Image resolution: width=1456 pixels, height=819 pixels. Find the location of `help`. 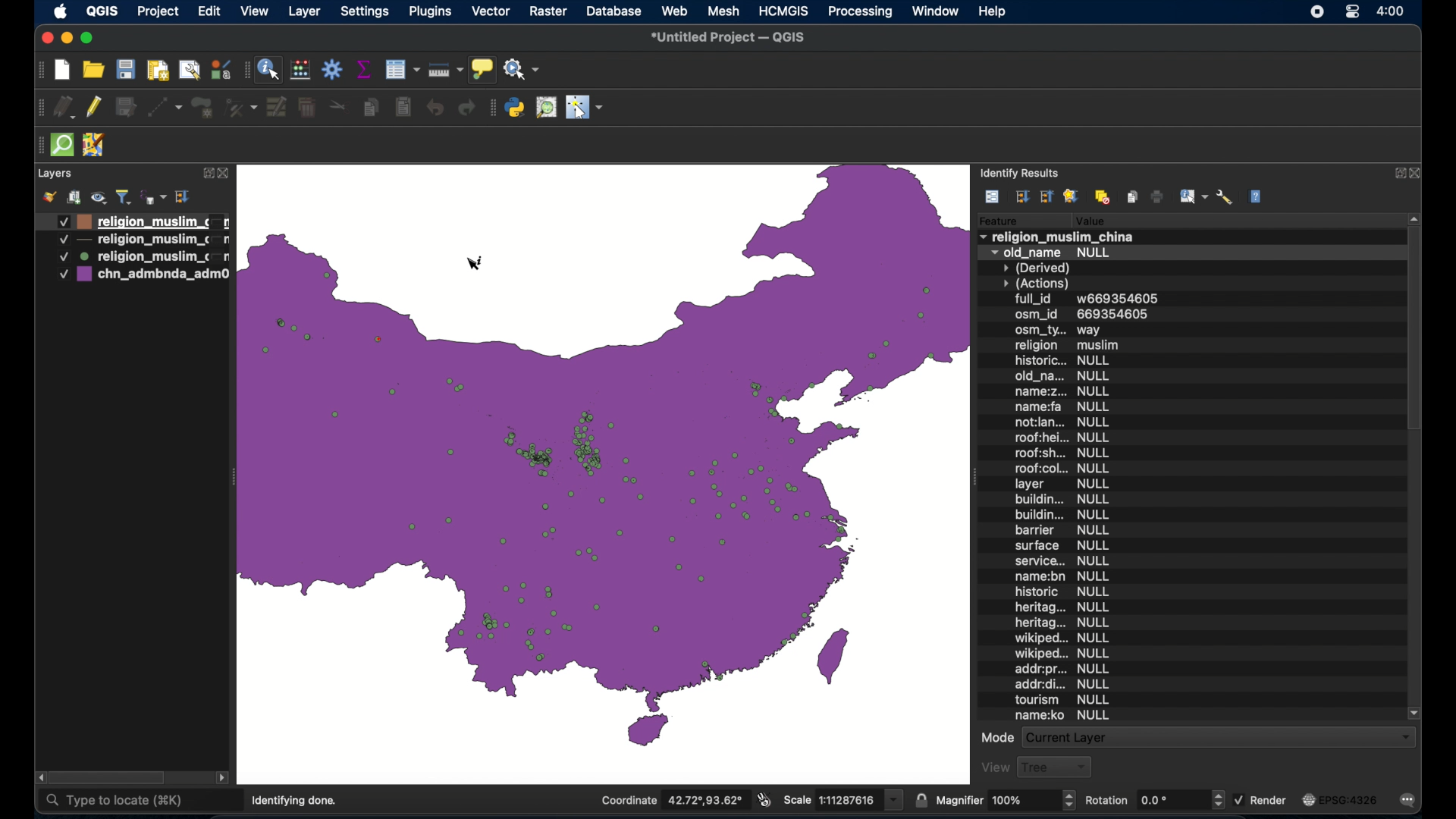

help is located at coordinates (993, 11).